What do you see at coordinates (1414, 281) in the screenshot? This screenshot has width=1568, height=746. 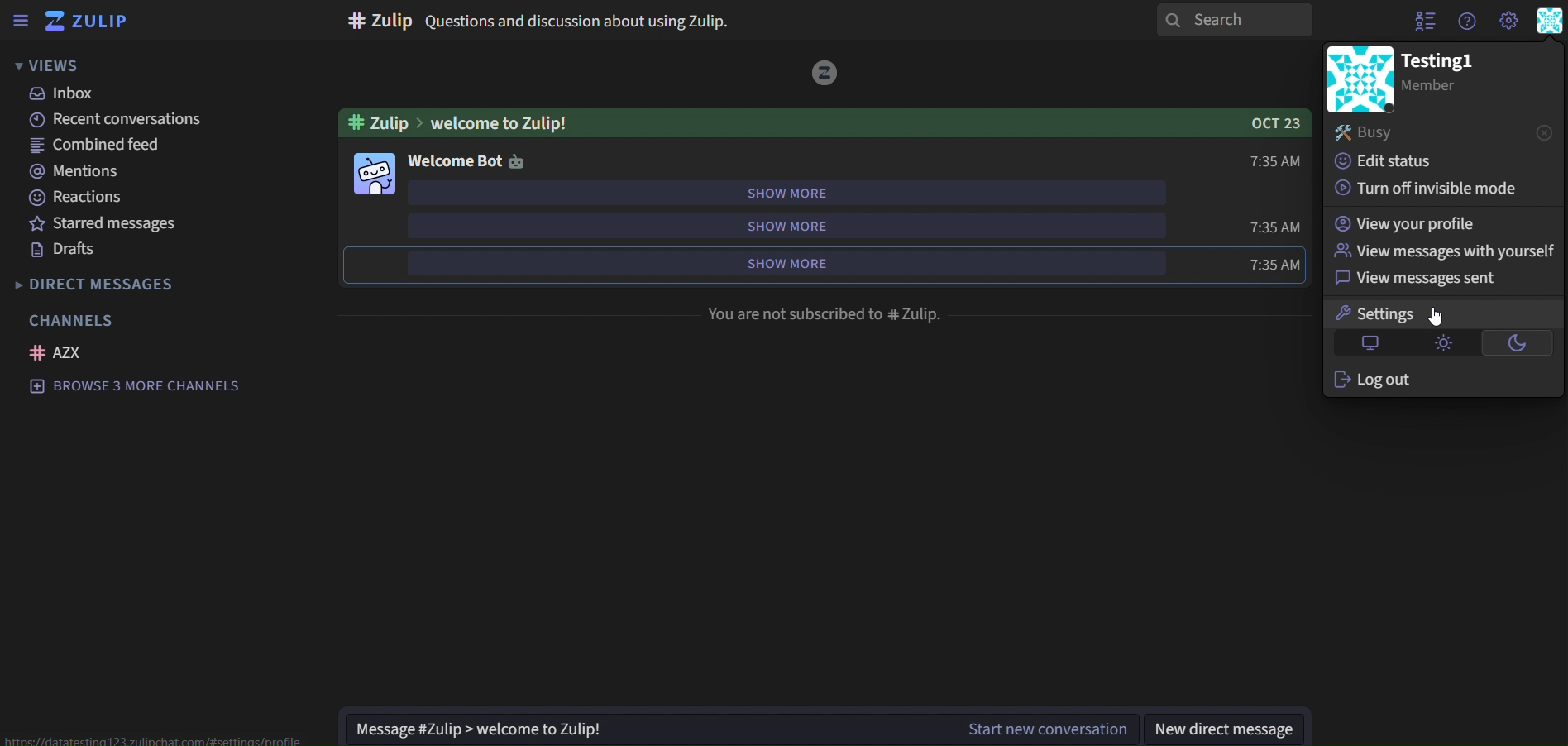 I see `view message sent` at bounding box center [1414, 281].